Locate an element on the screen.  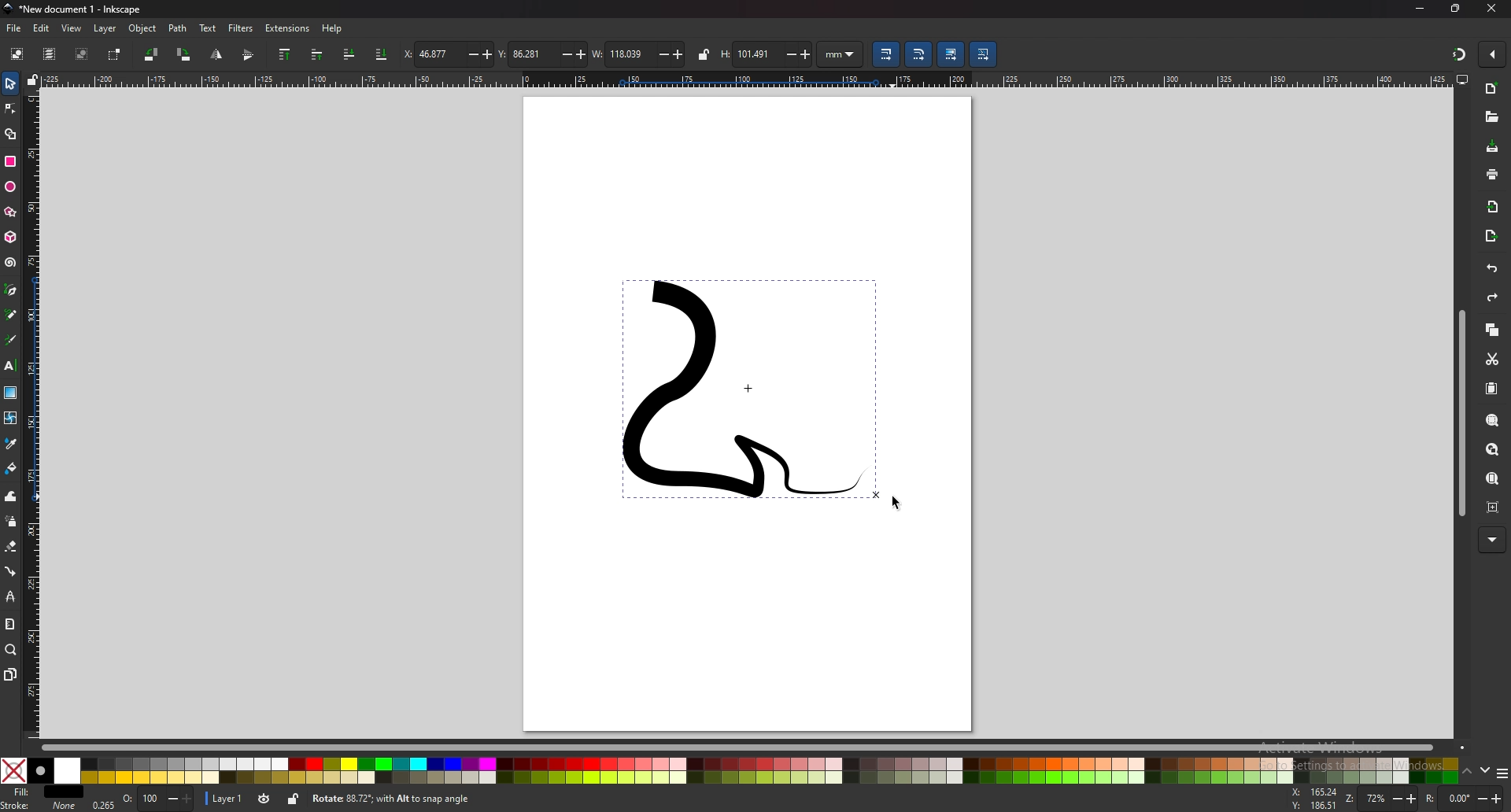
stars and polygons is located at coordinates (10, 212).